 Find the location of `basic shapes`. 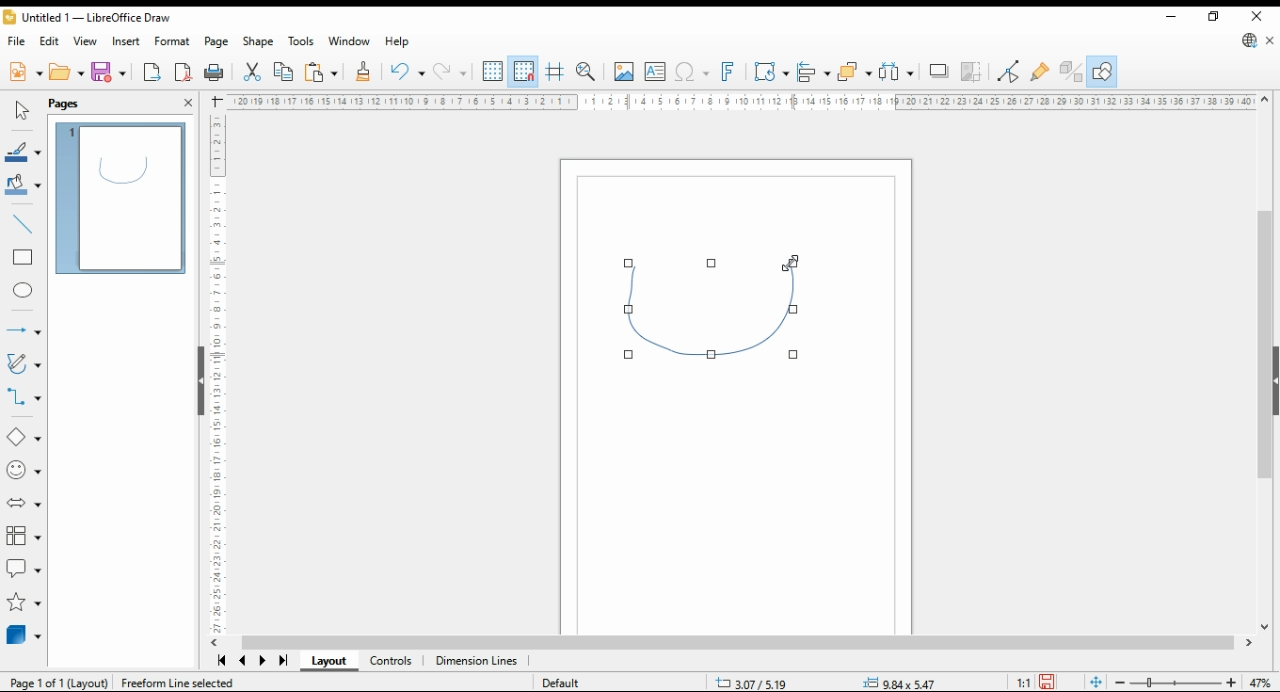

basic shapes is located at coordinates (22, 437).